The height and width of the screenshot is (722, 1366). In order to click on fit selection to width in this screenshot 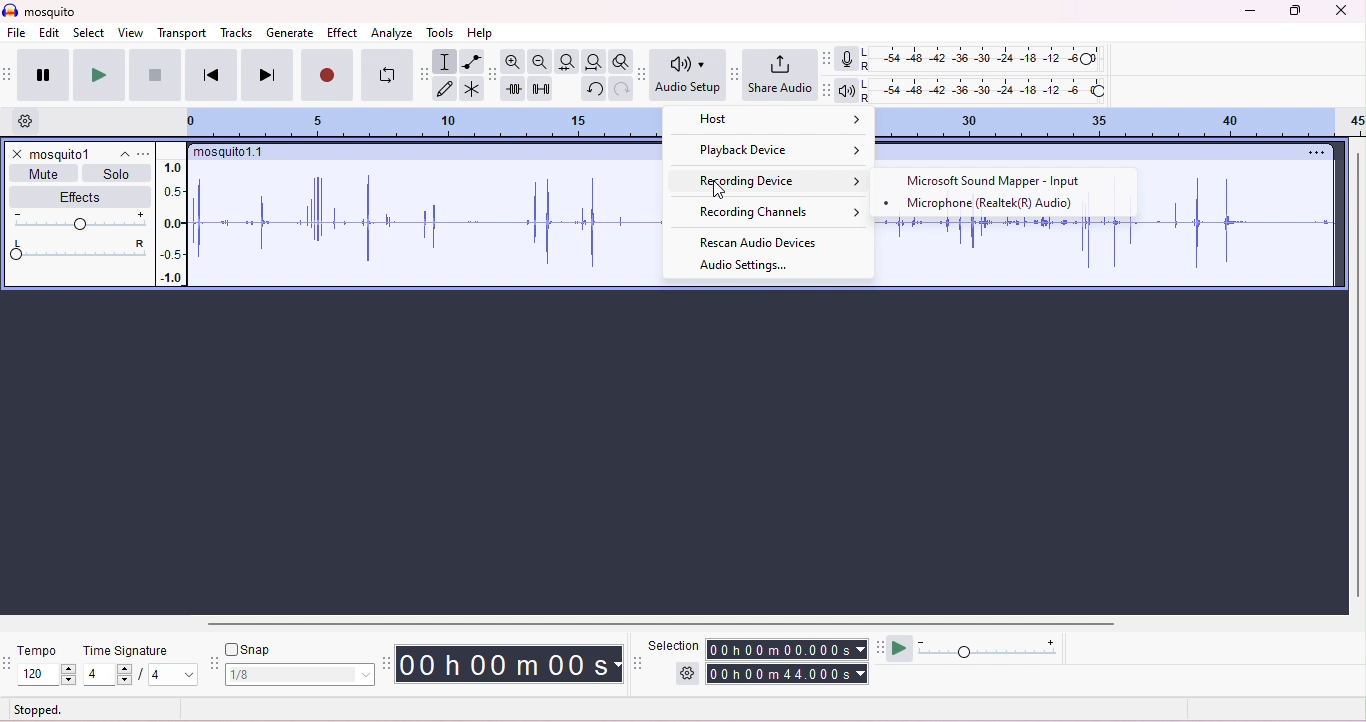, I will do `click(565, 61)`.